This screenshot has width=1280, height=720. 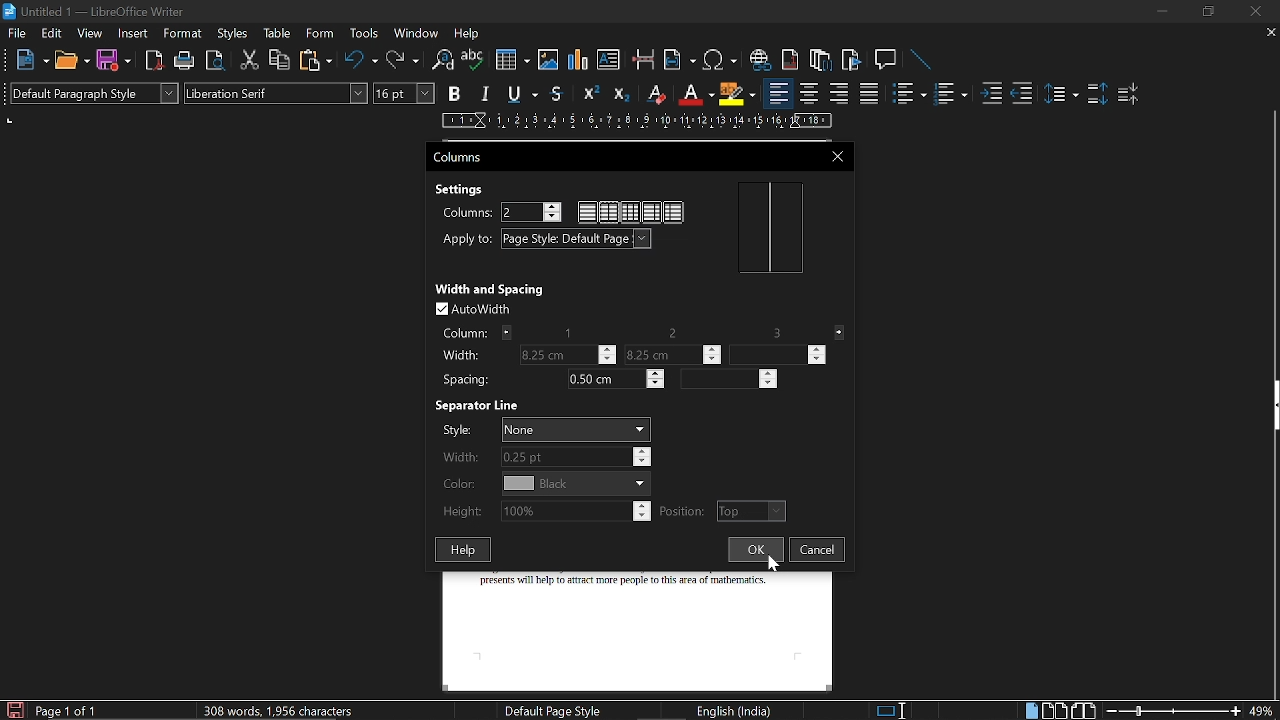 I want to click on Set line spacing, so click(x=1061, y=94).